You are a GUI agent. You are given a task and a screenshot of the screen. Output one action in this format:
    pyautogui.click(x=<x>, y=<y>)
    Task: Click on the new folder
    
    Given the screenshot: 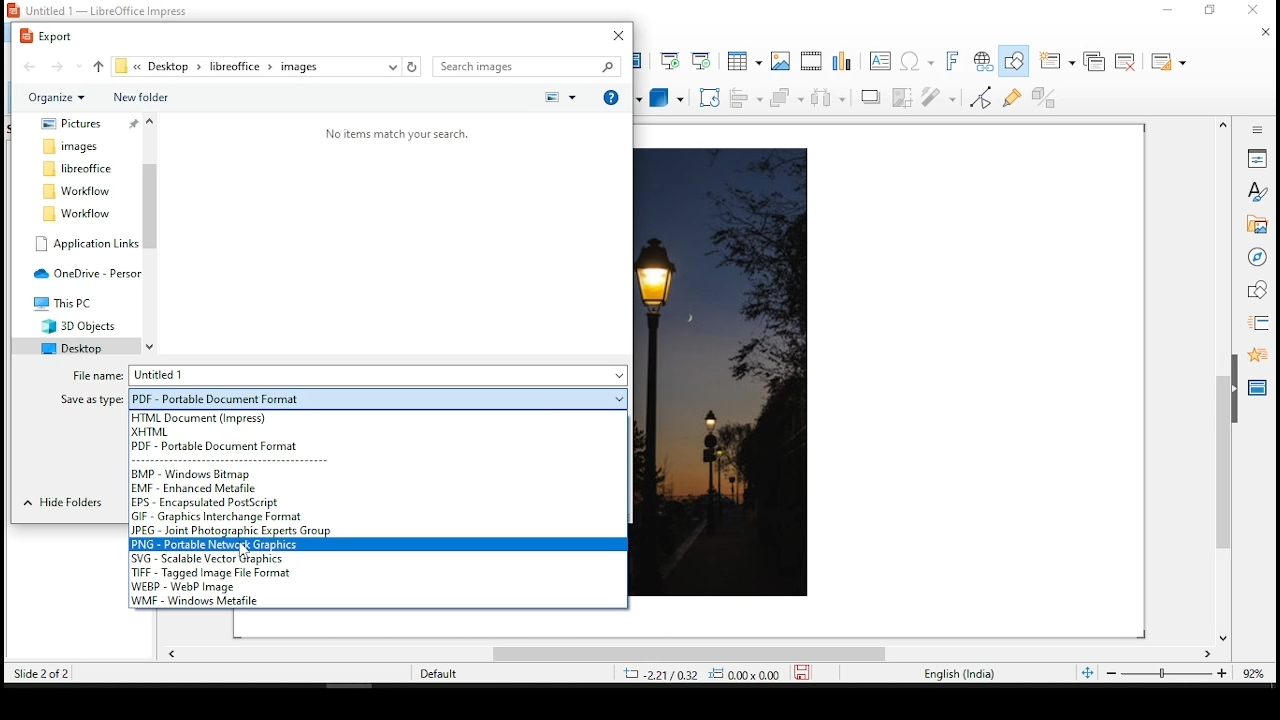 What is the action you would take?
    pyautogui.click(x=139, y=97)
    